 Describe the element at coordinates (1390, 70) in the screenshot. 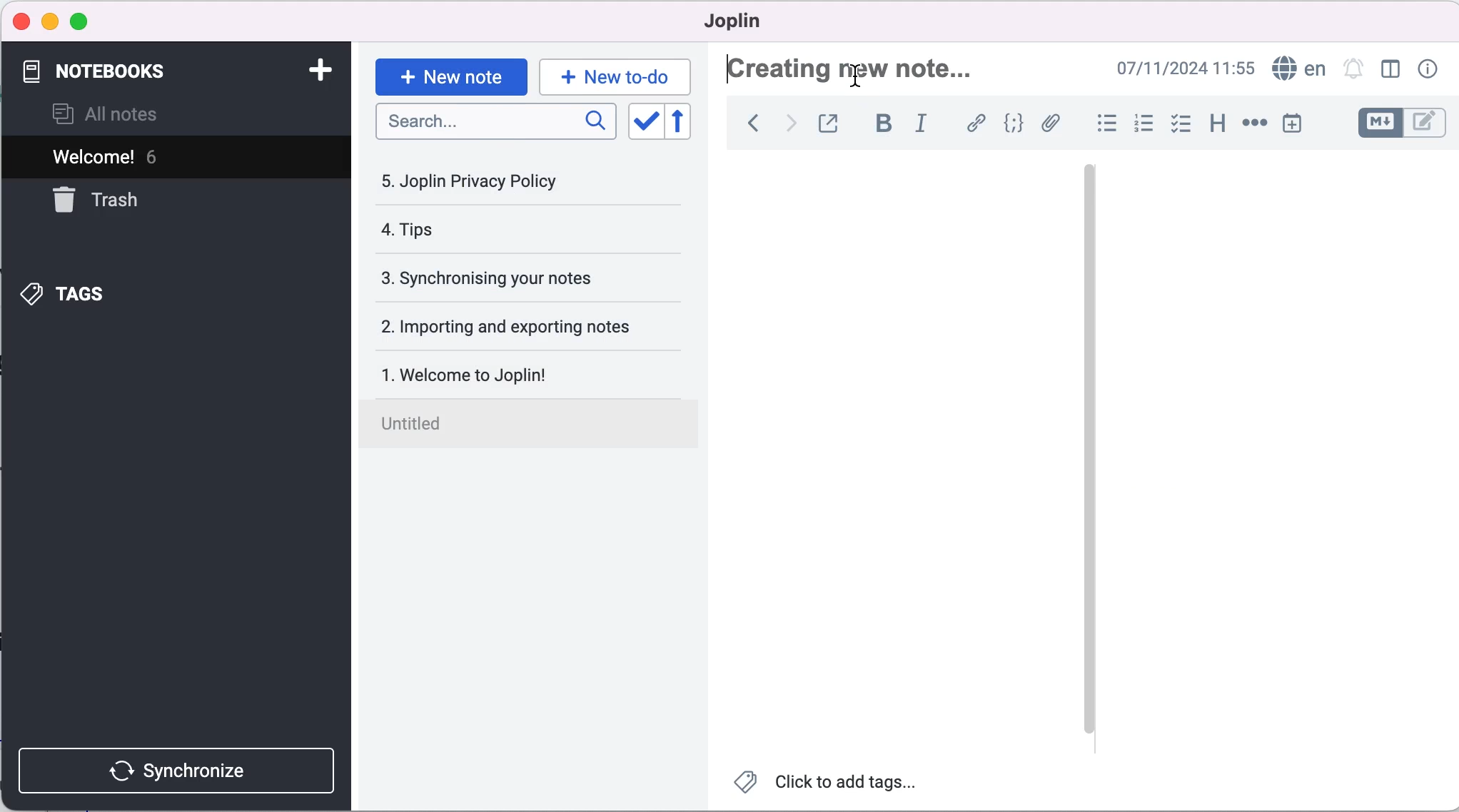

I see `toggle editor layout` at that location.